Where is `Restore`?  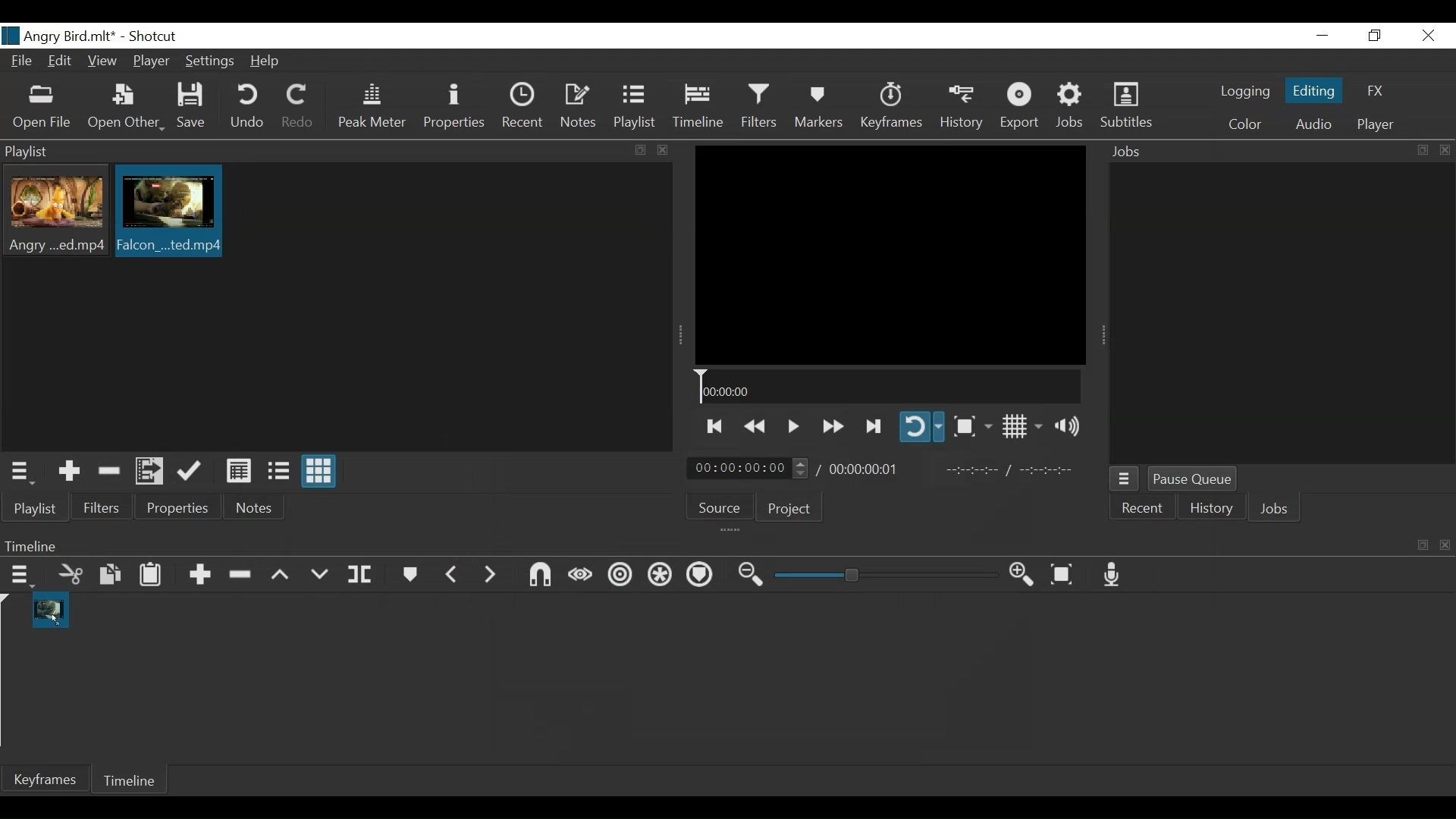
Restore is located at coordinates (1375, 36).